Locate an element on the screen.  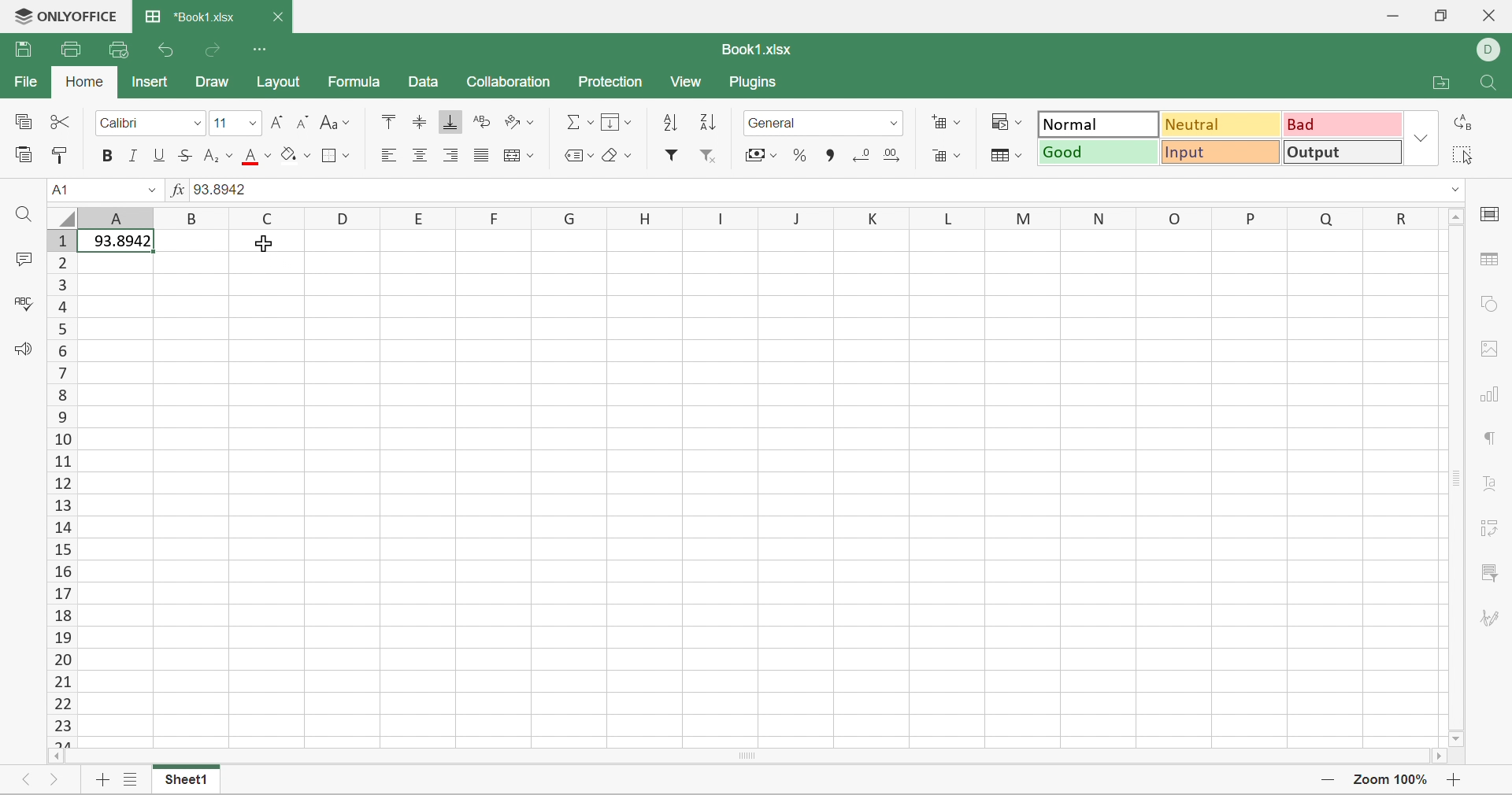
Column Names is located at coordinates (759, 216).